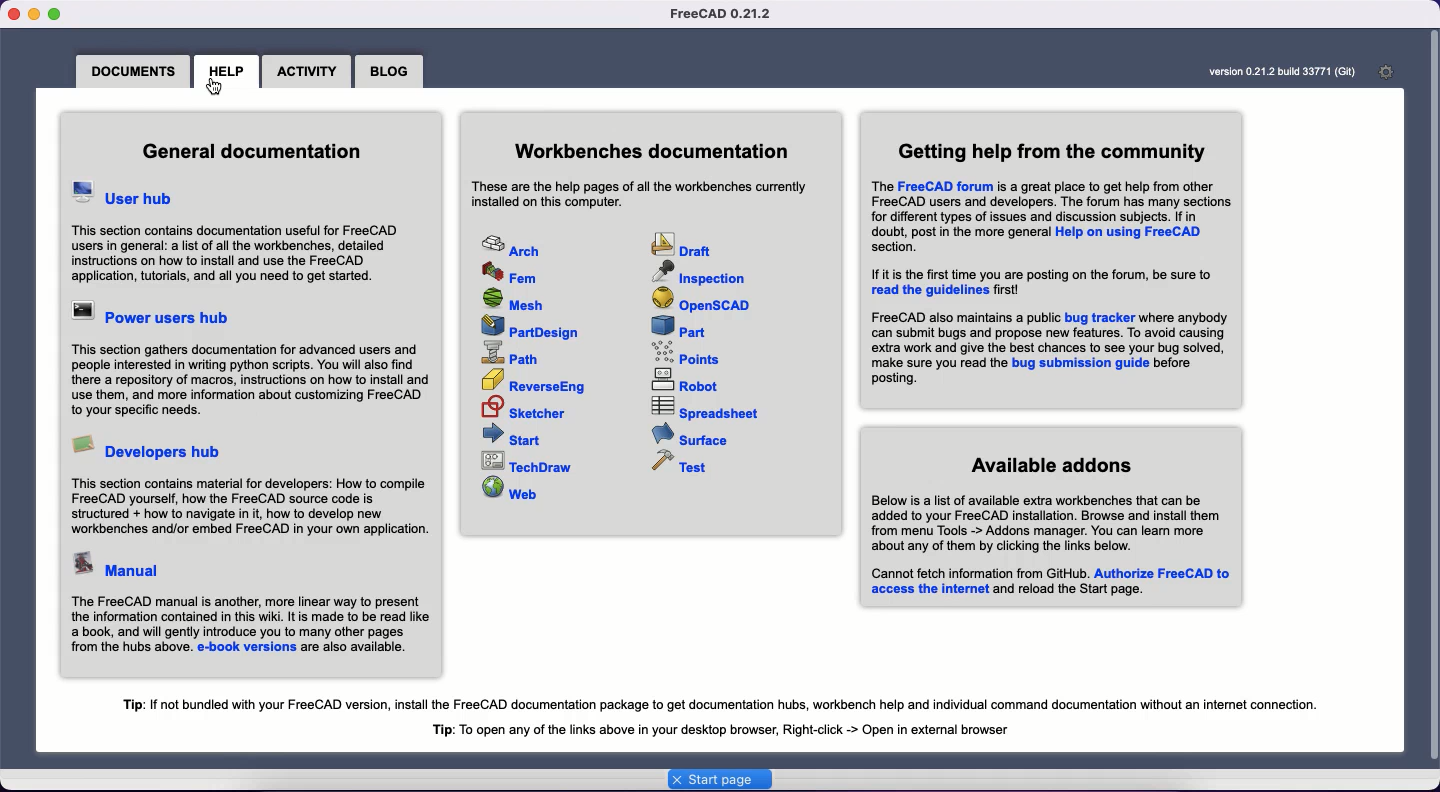 This screenshot has width=1440, height=792. Describe the element at coordinates (256, 359) in the screenshot. I see `Power users hub` at that location.